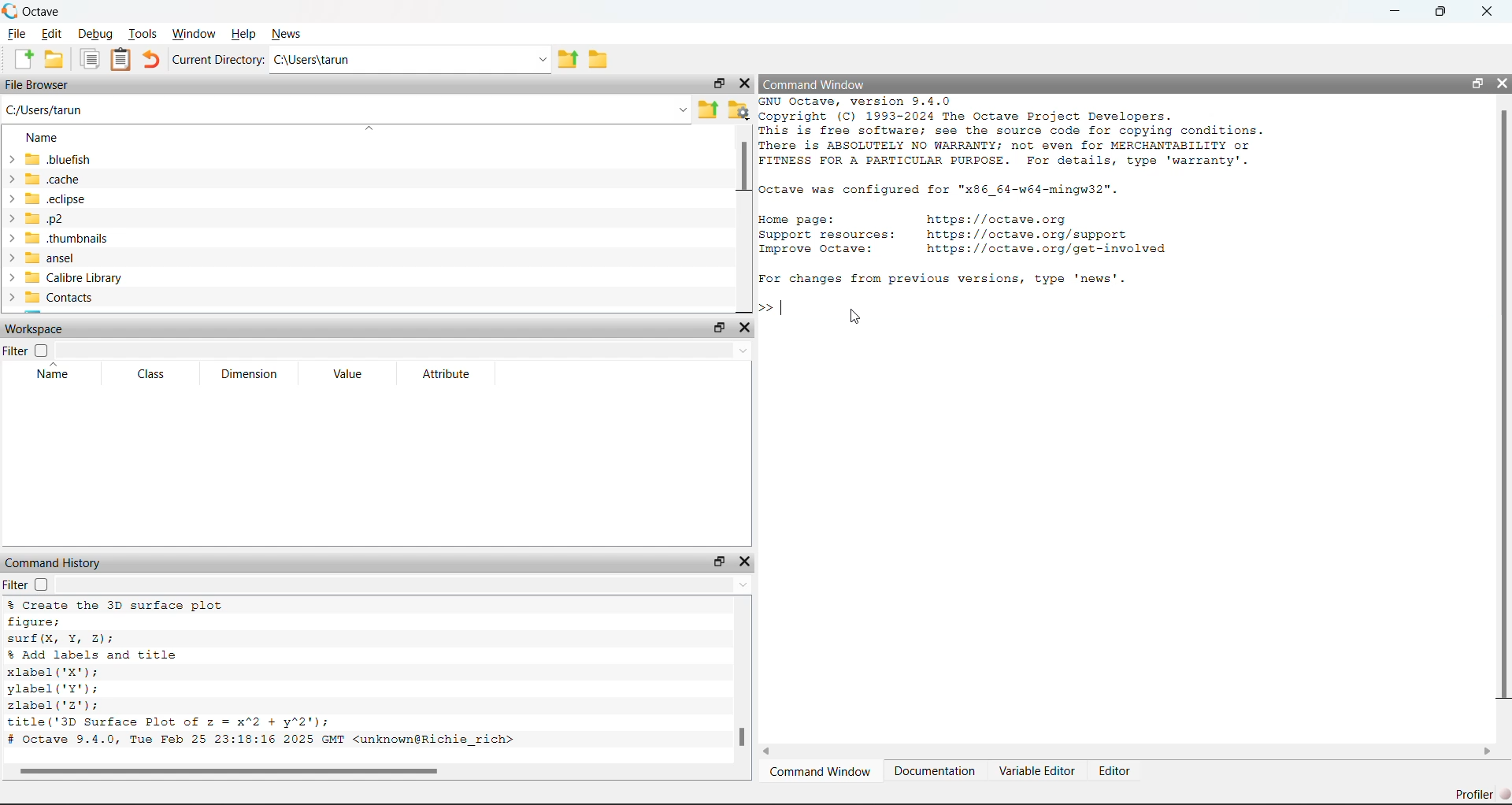 The width and height of the screenshot is (1512, 805). What do you see at coordinates (124, 605) in the screenshot?
I see `$& Create the 3D surface plot` at bounding box center [124, 605].